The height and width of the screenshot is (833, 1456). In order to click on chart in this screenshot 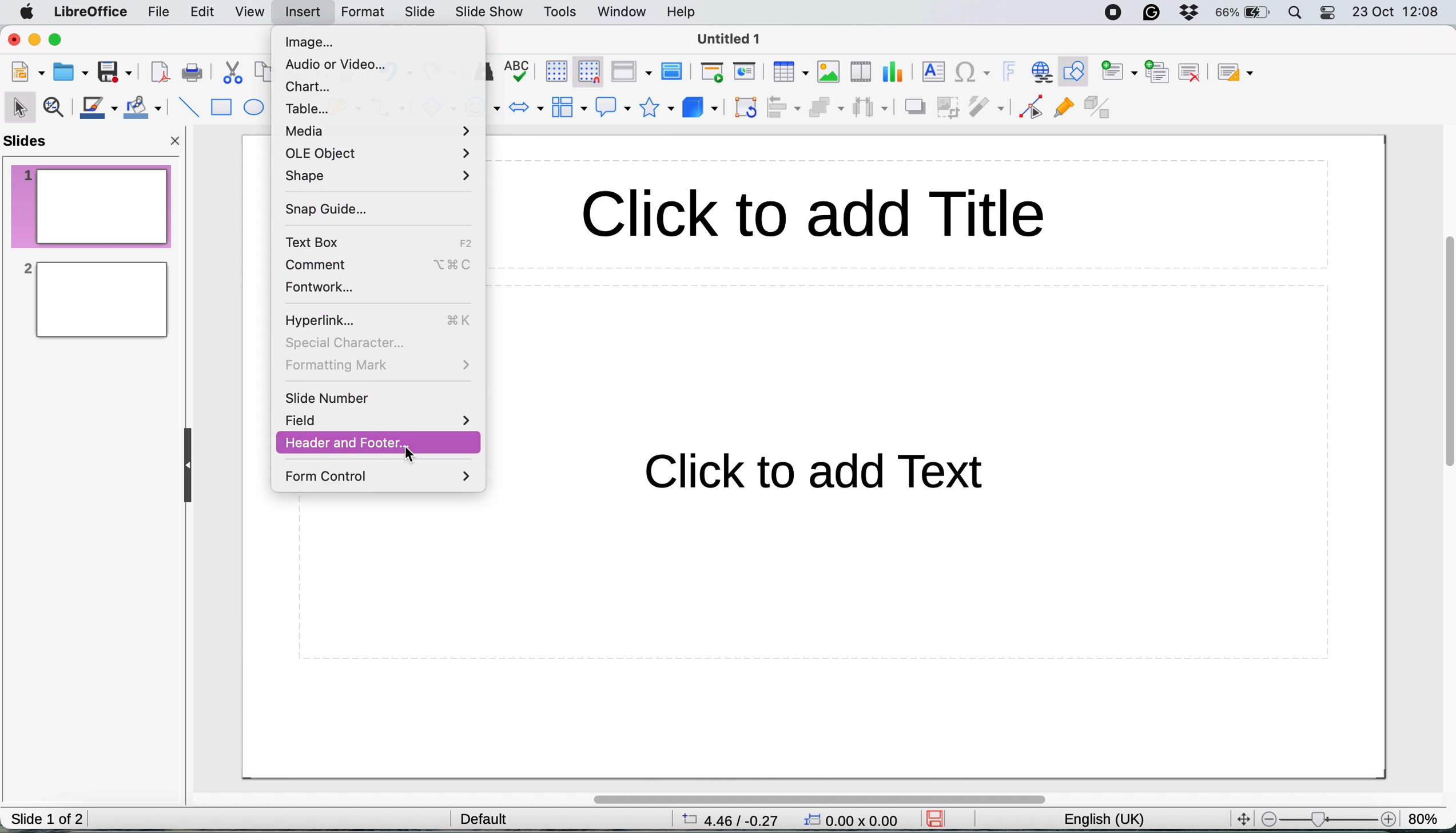, I will do `click(310, 86)`.